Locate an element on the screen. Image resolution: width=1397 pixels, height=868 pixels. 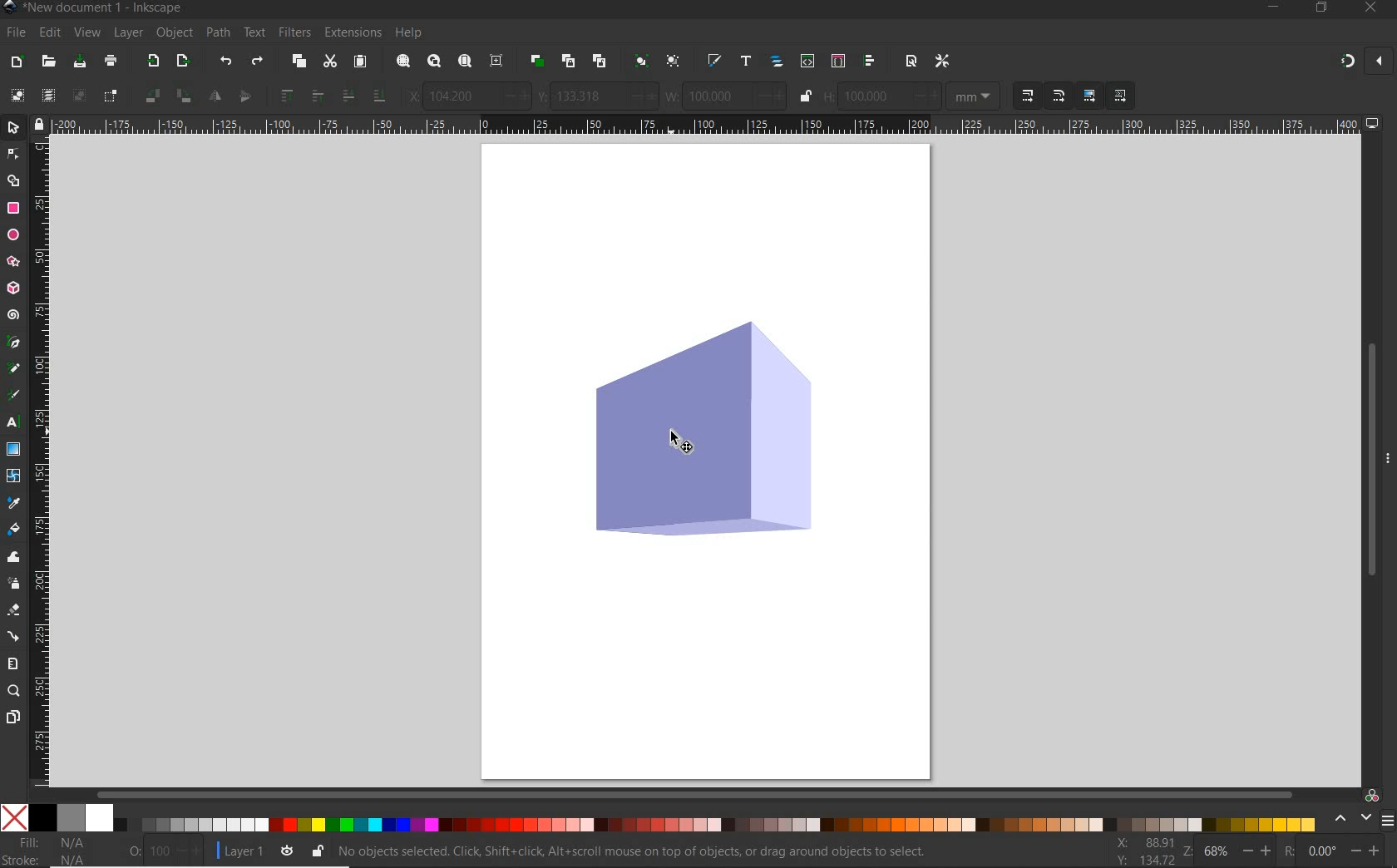
100 is located at coordinates (157, 851).